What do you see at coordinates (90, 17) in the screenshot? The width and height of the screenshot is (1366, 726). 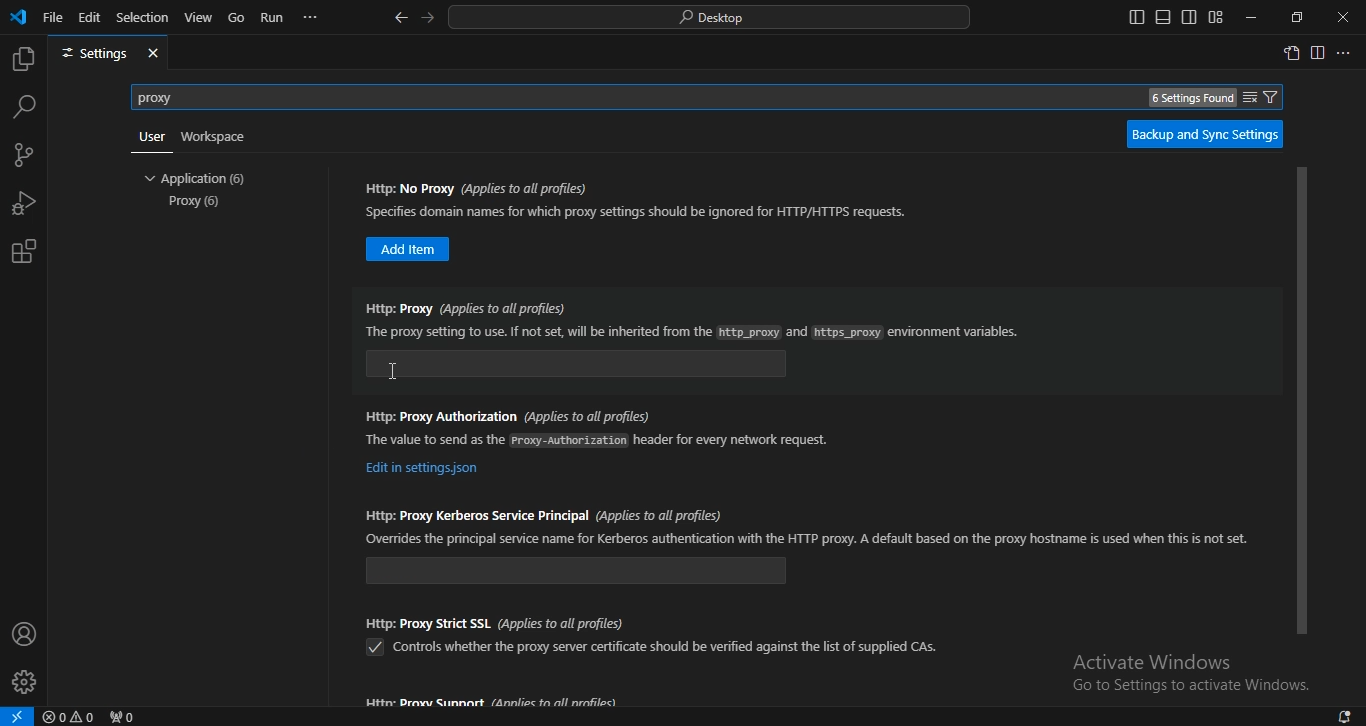 I see `edit` at bounding box center [90, 17].